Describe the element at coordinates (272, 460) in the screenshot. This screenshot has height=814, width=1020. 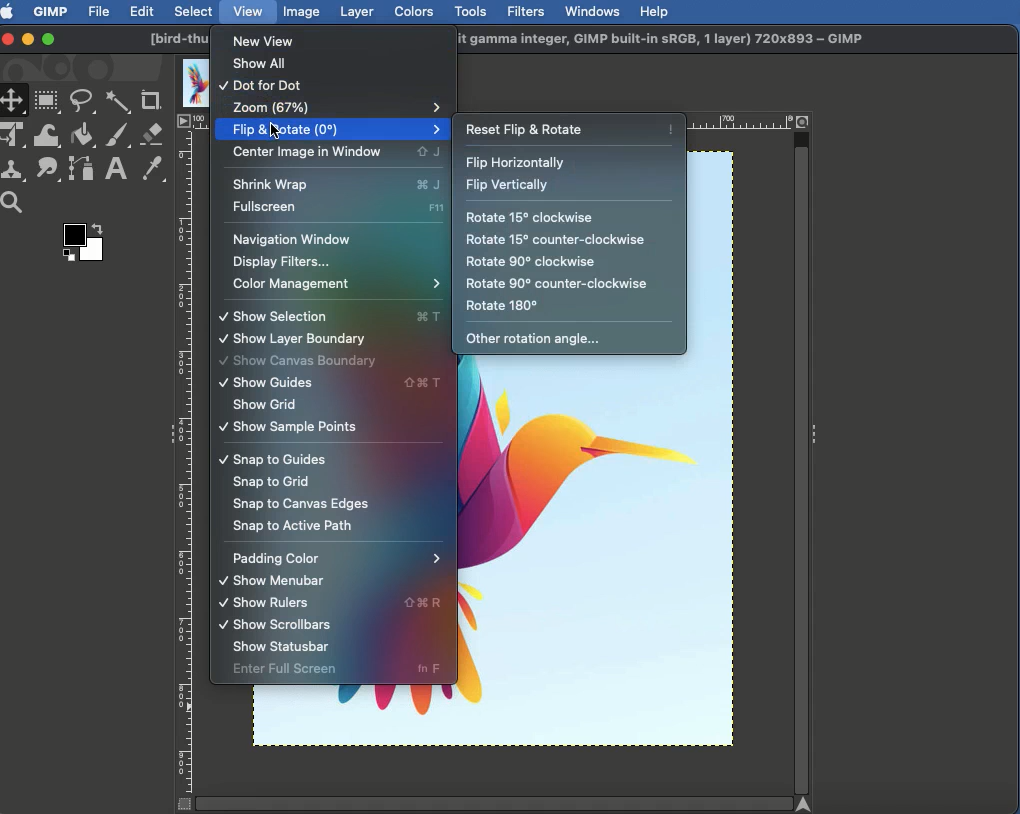
I see `Snap to guides` at that location.